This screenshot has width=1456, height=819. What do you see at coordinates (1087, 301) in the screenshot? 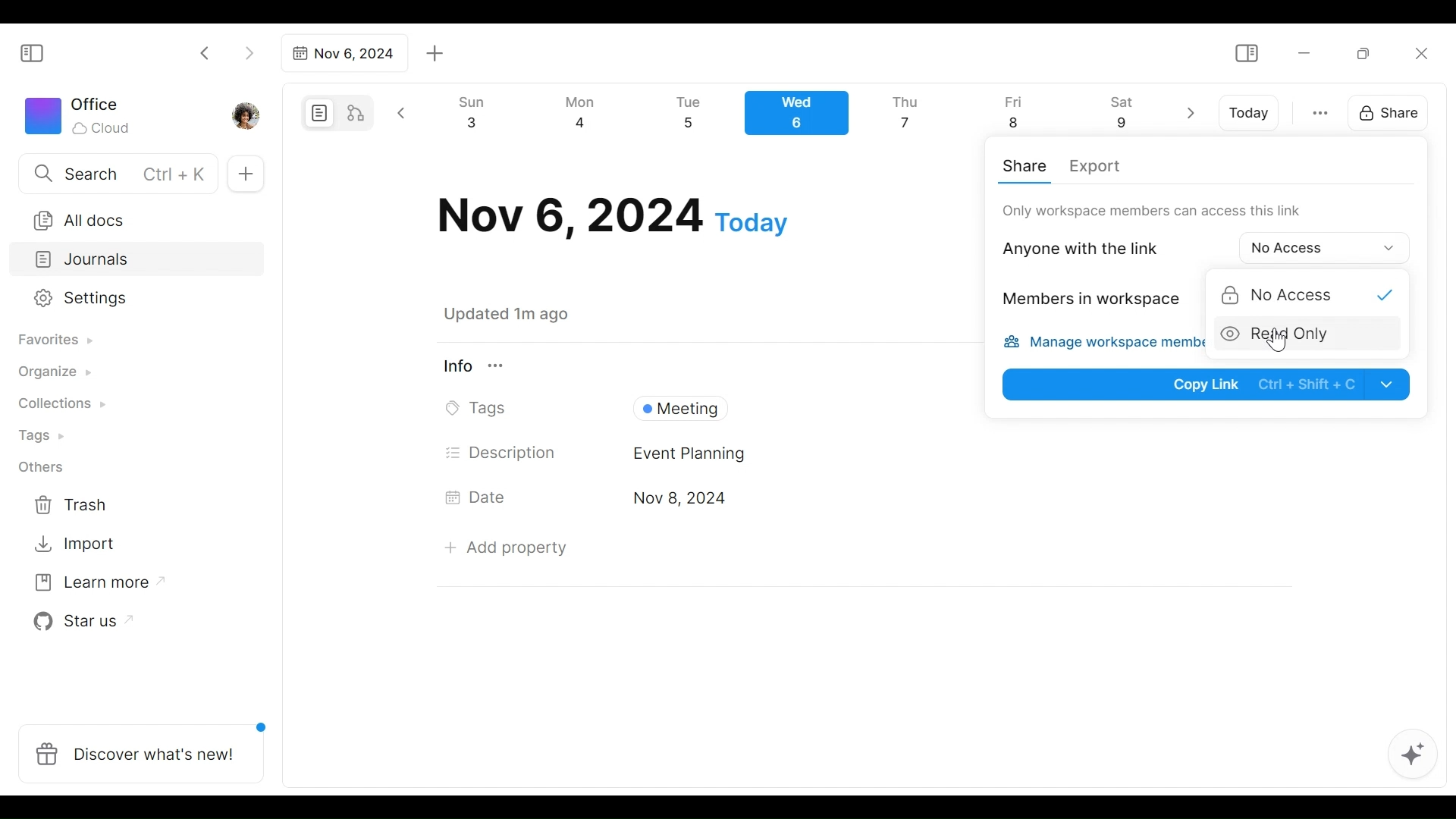
I see `Members in workspace` at bounding box center [1087, 301].